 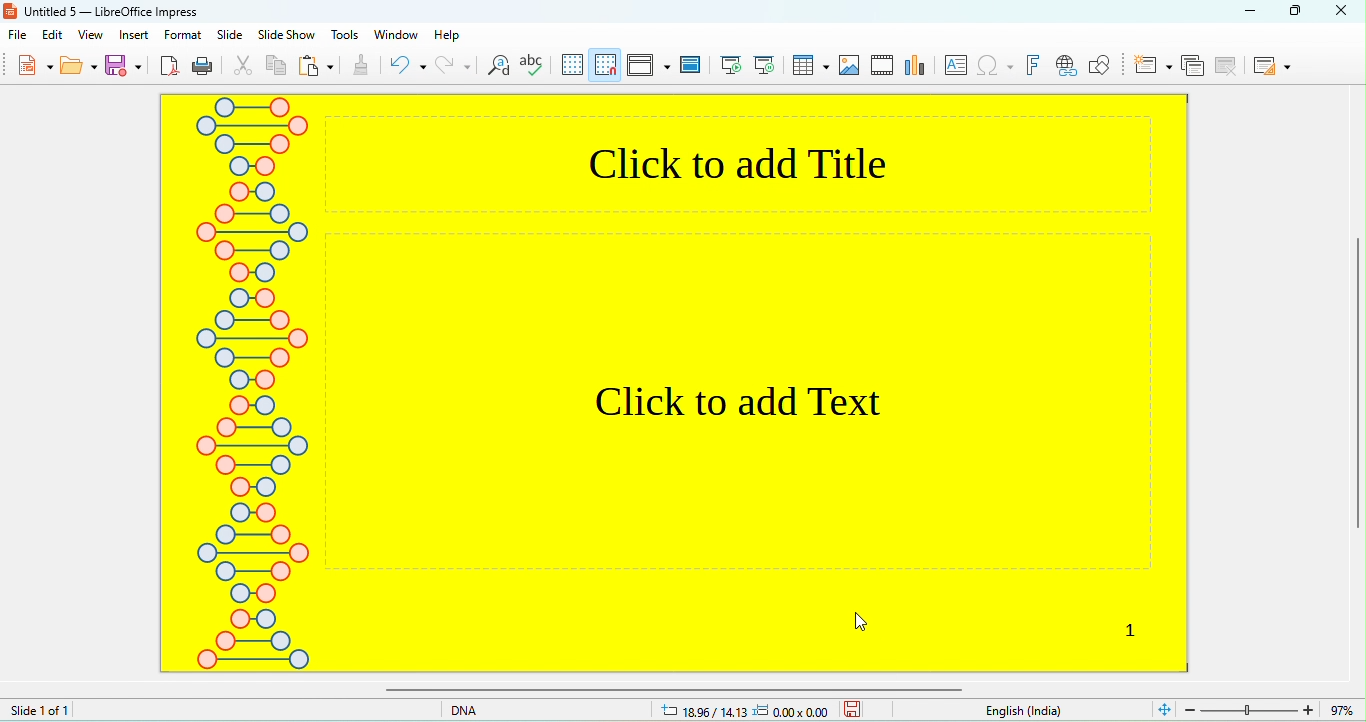 I want to click on special characters, so click(x=997, y=67).